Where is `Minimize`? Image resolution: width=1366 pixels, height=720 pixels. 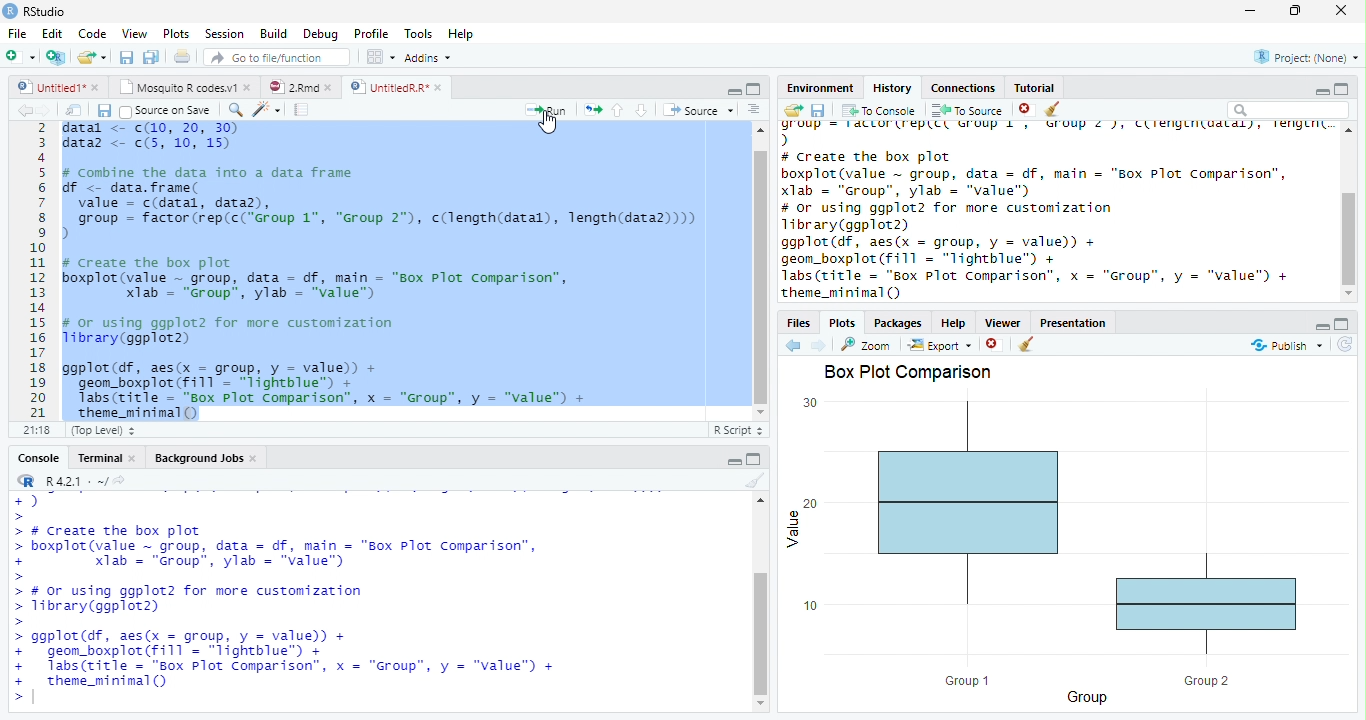
Minimize is located at coordinates (733, 462).